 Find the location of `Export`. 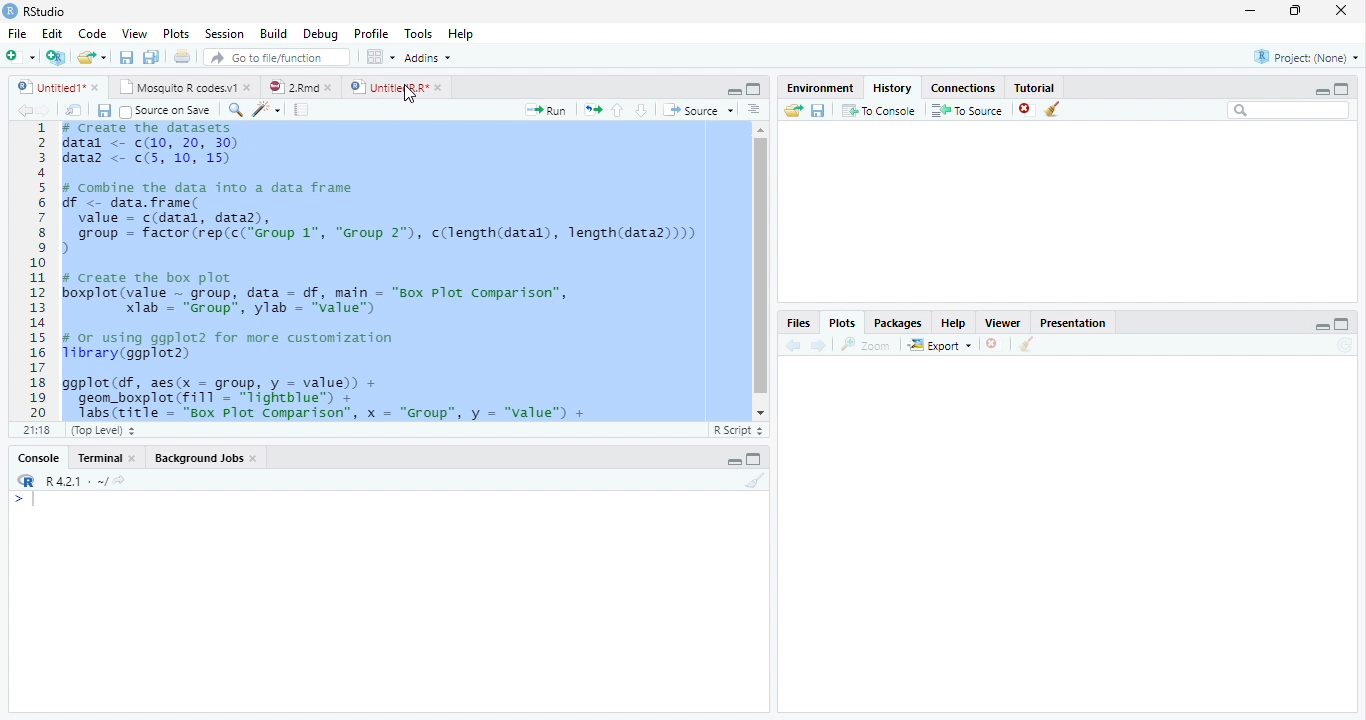

Export is located at coordinates (940, 345).